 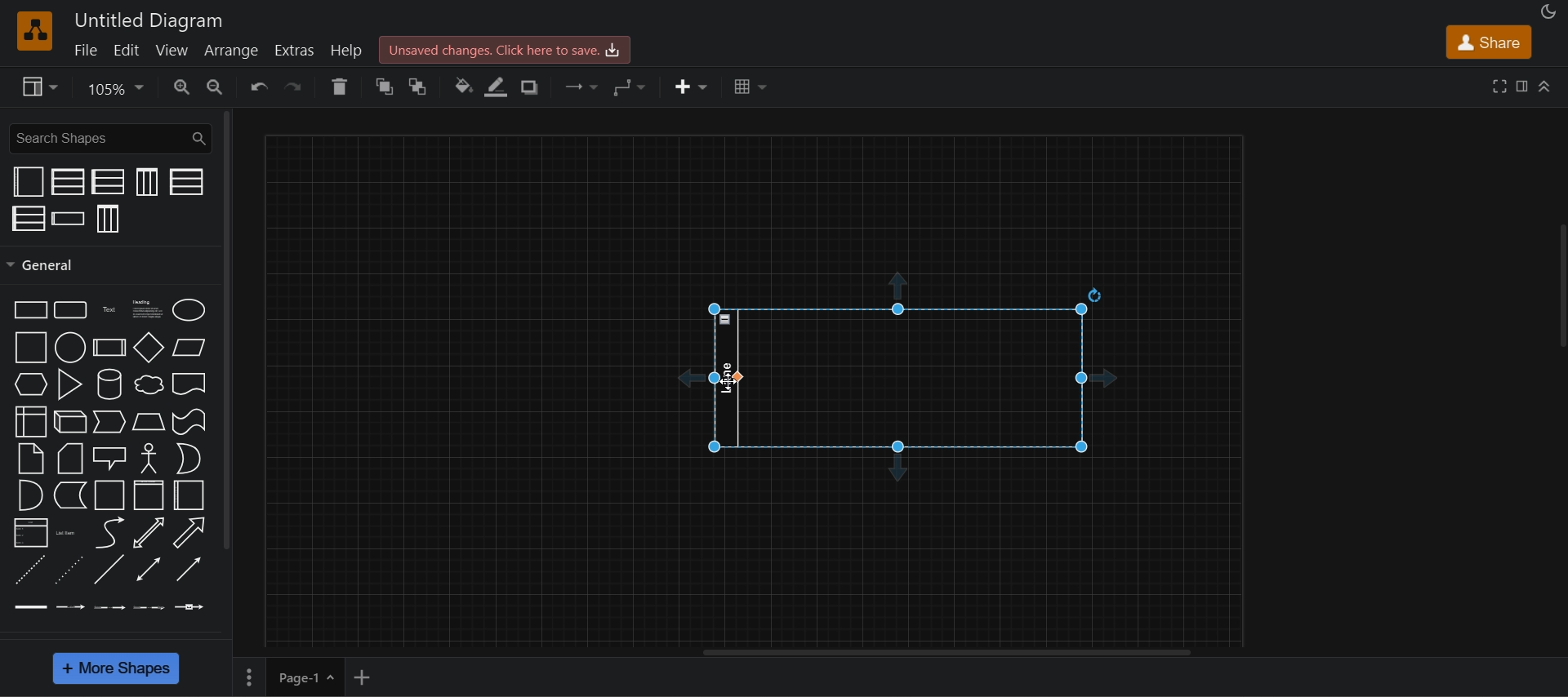 I want to click on dashed line, so click(x=27, y=570).